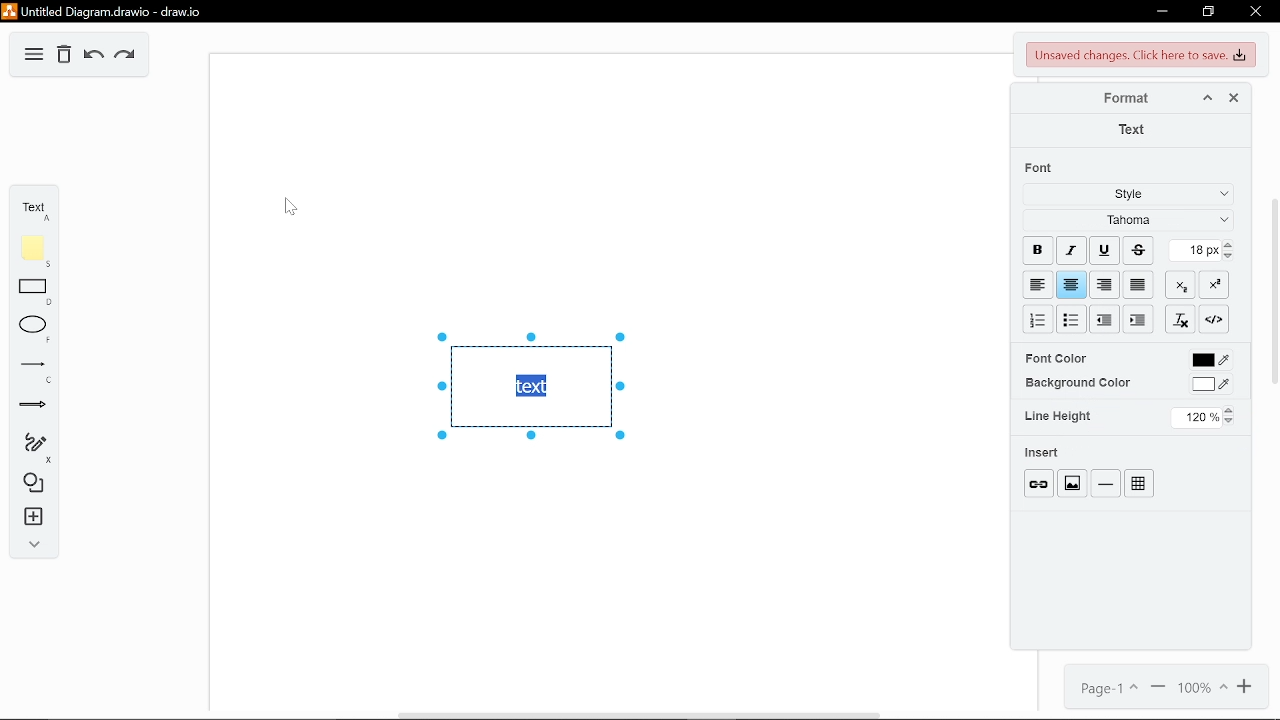 The height and width of the screenshot is (720, 1280). What do you see at coordinates (1214, 387) in the screenshot?
I see `background color` at bounding box center [1214, 387].